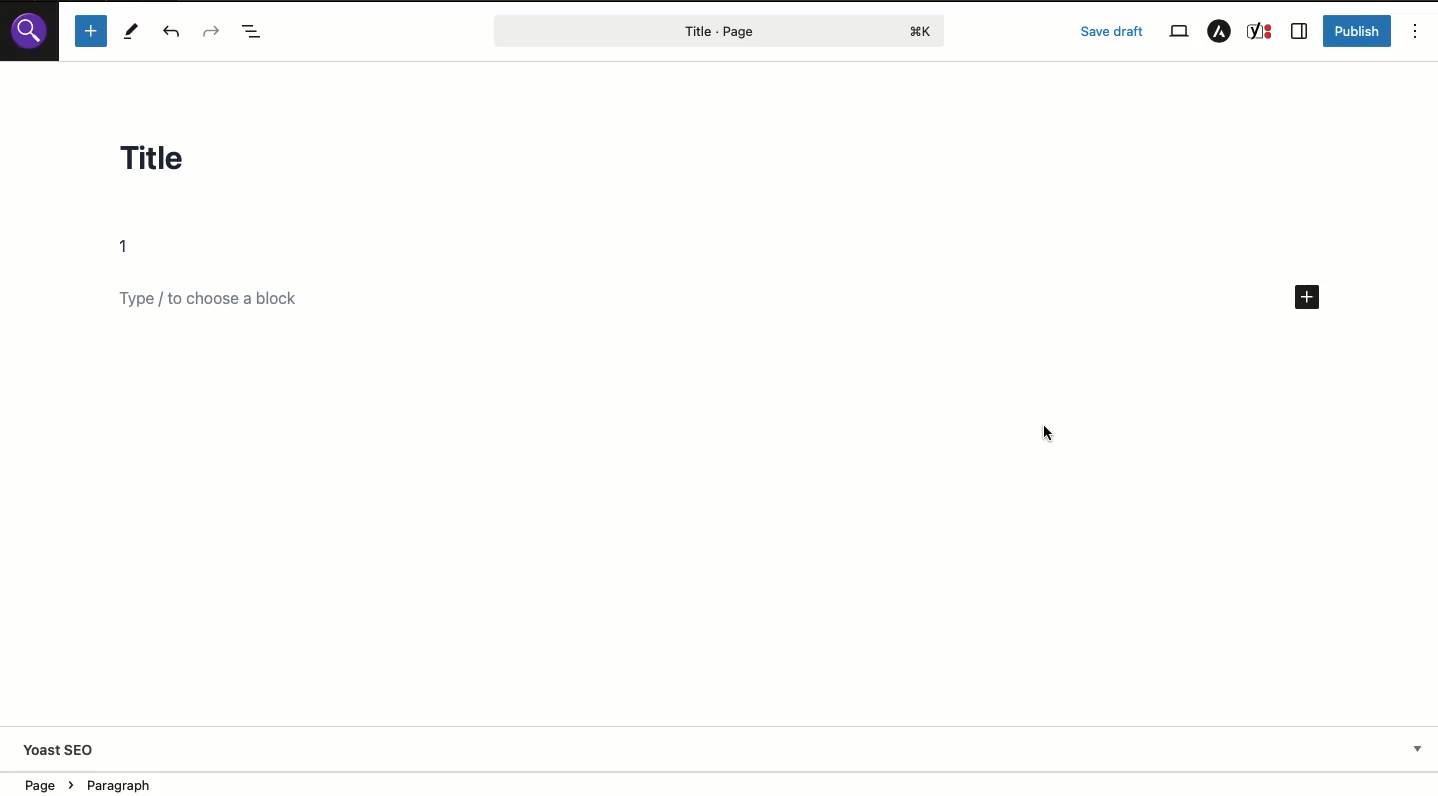  Describe the element at coordinates (1219, 32) in the screenshot. I see `Astar` at that location.